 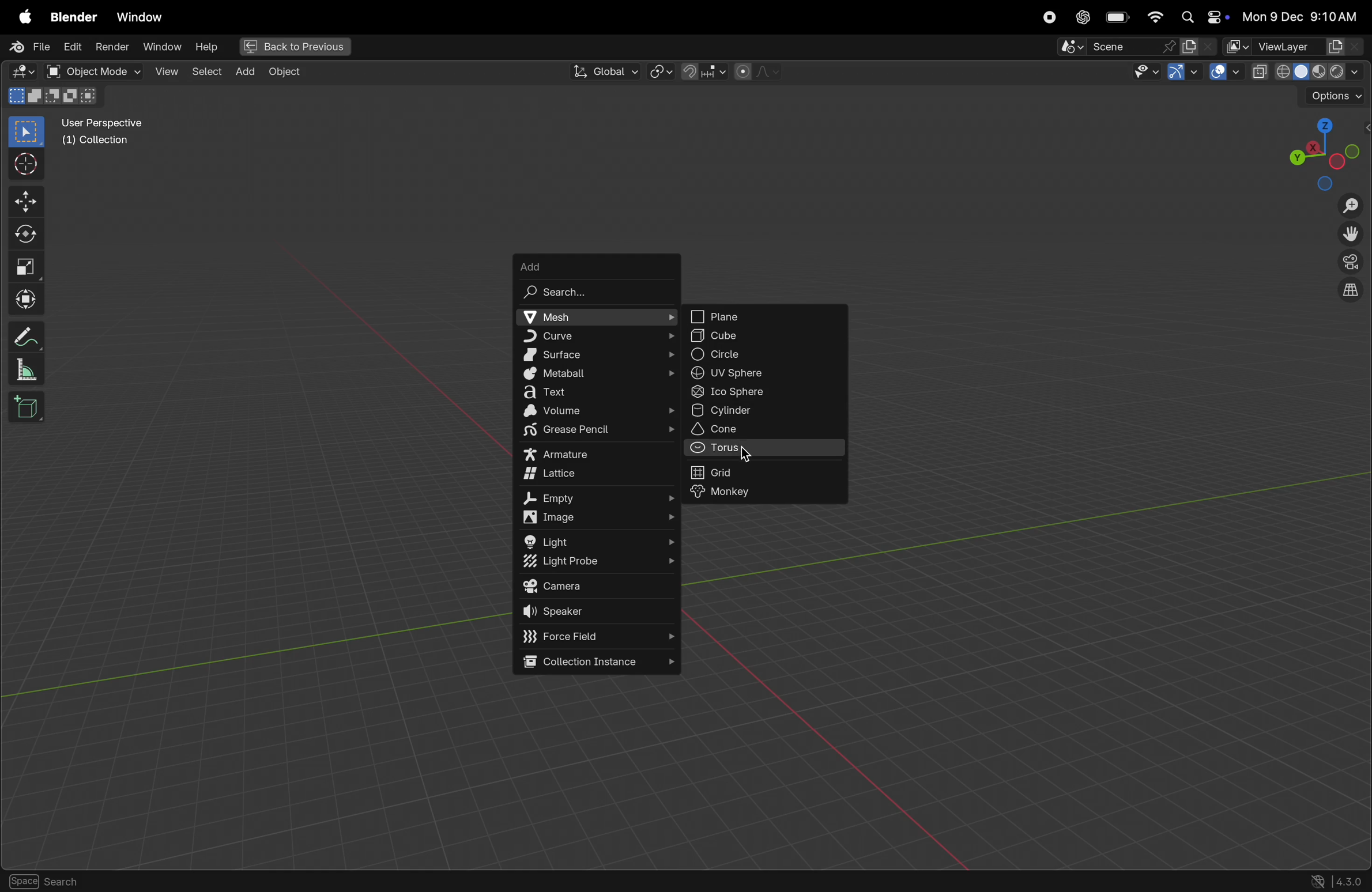 I want to click on select, so click(x=205, y=70).